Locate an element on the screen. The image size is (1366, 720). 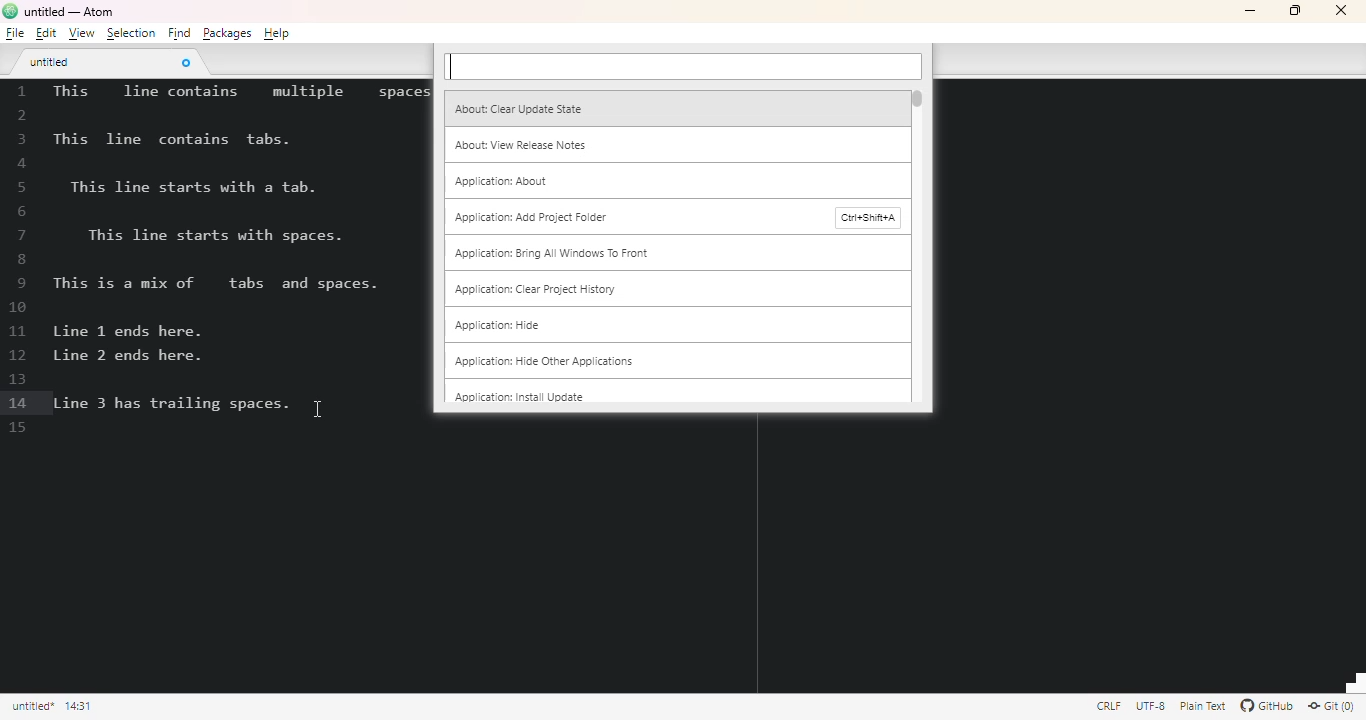
GitHub is located at coordinates (1267, 706).